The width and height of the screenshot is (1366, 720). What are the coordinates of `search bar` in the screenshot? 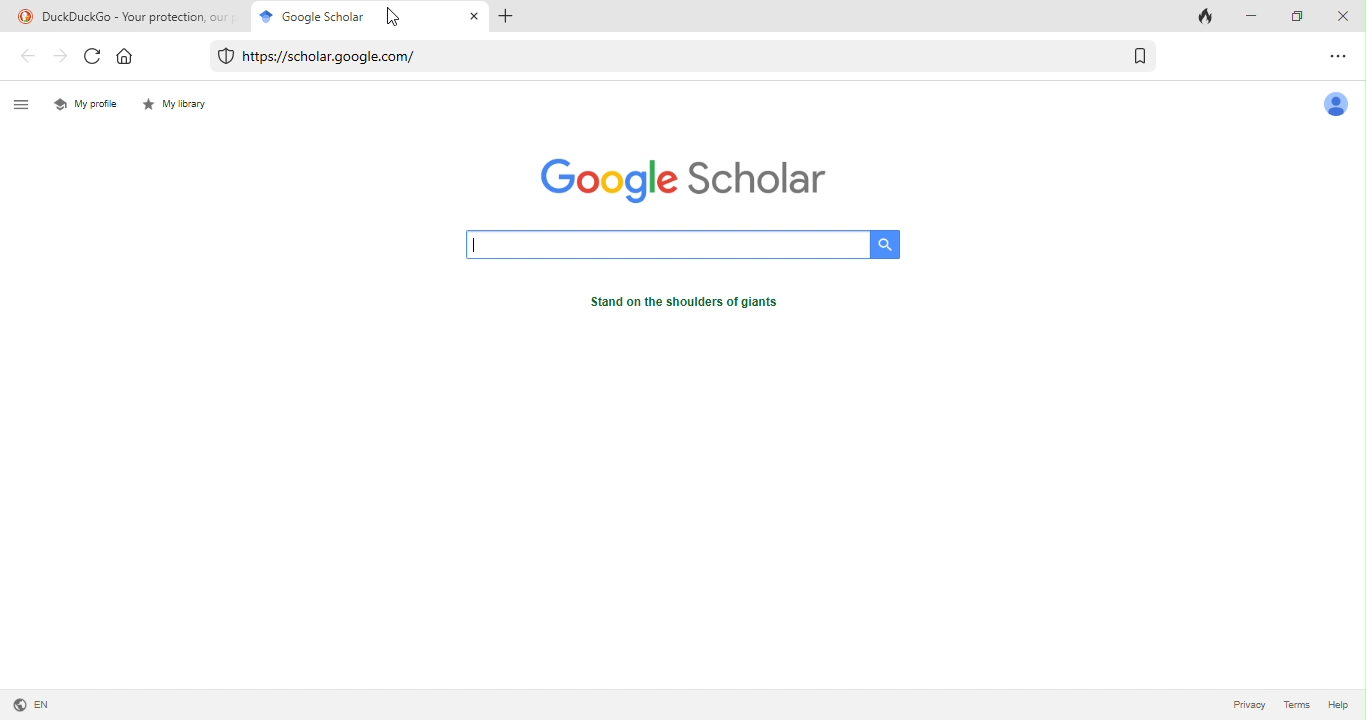 It's located at (669, 246).